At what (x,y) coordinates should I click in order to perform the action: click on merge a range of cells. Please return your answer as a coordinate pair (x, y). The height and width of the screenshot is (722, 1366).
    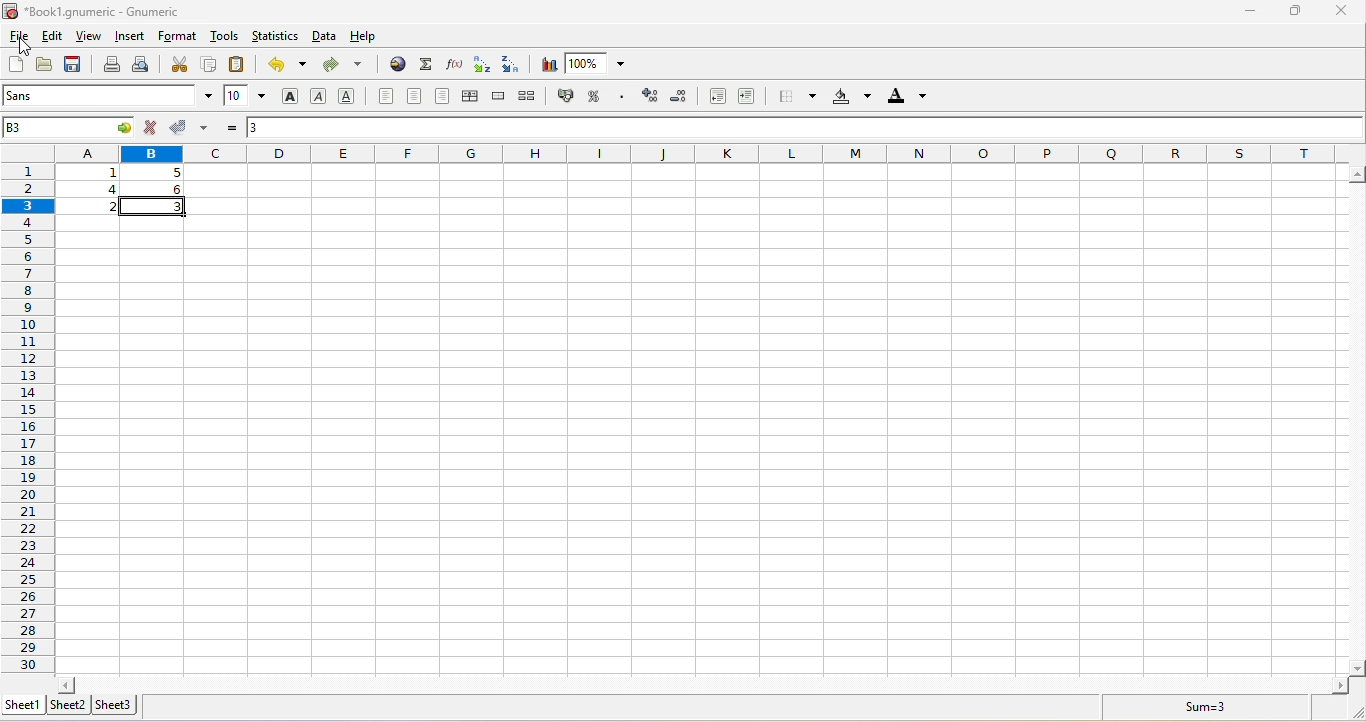
    Looking at the image, I should click on (500, 98).